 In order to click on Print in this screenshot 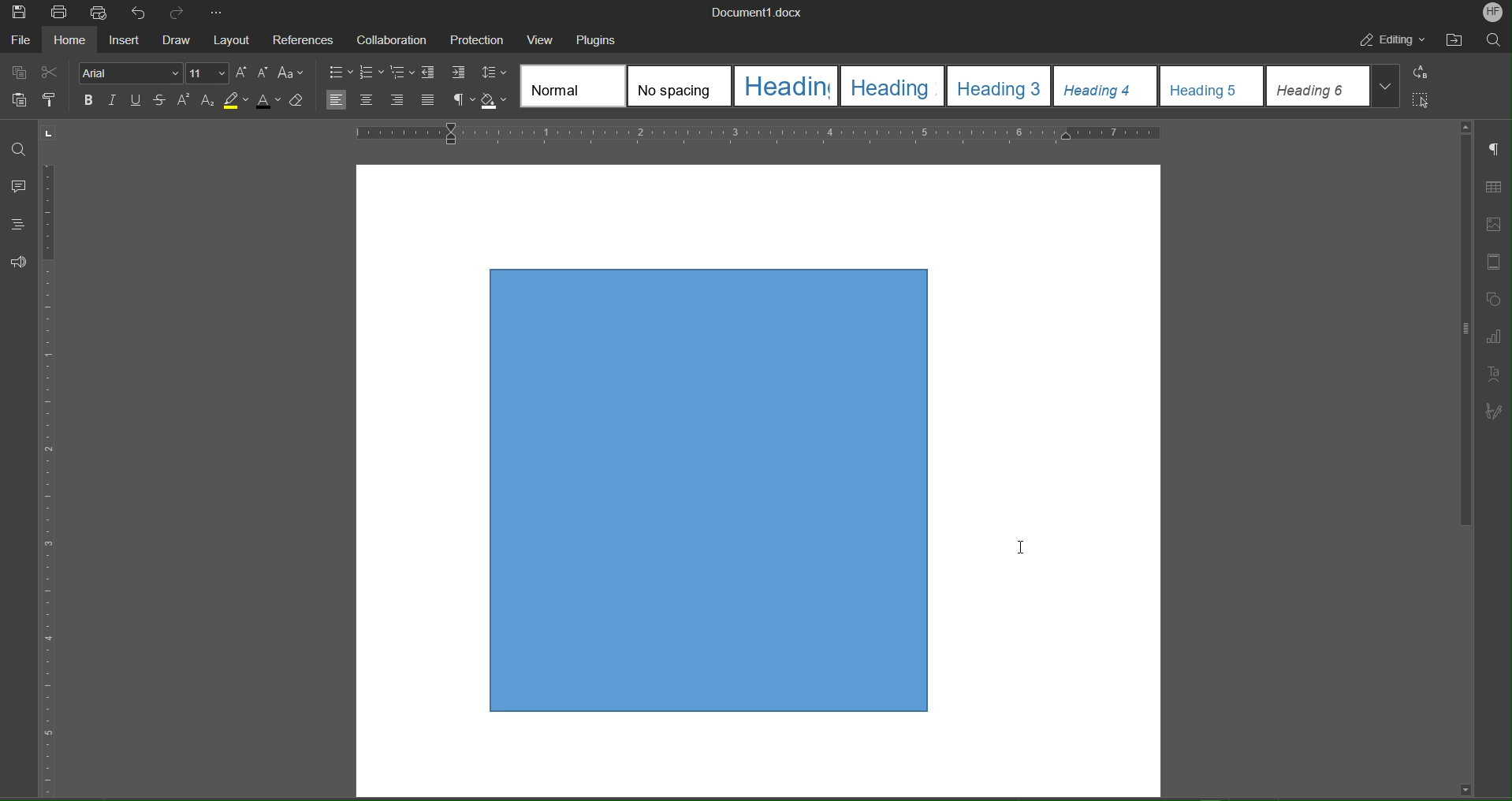, I will do `click(58, 13)`.